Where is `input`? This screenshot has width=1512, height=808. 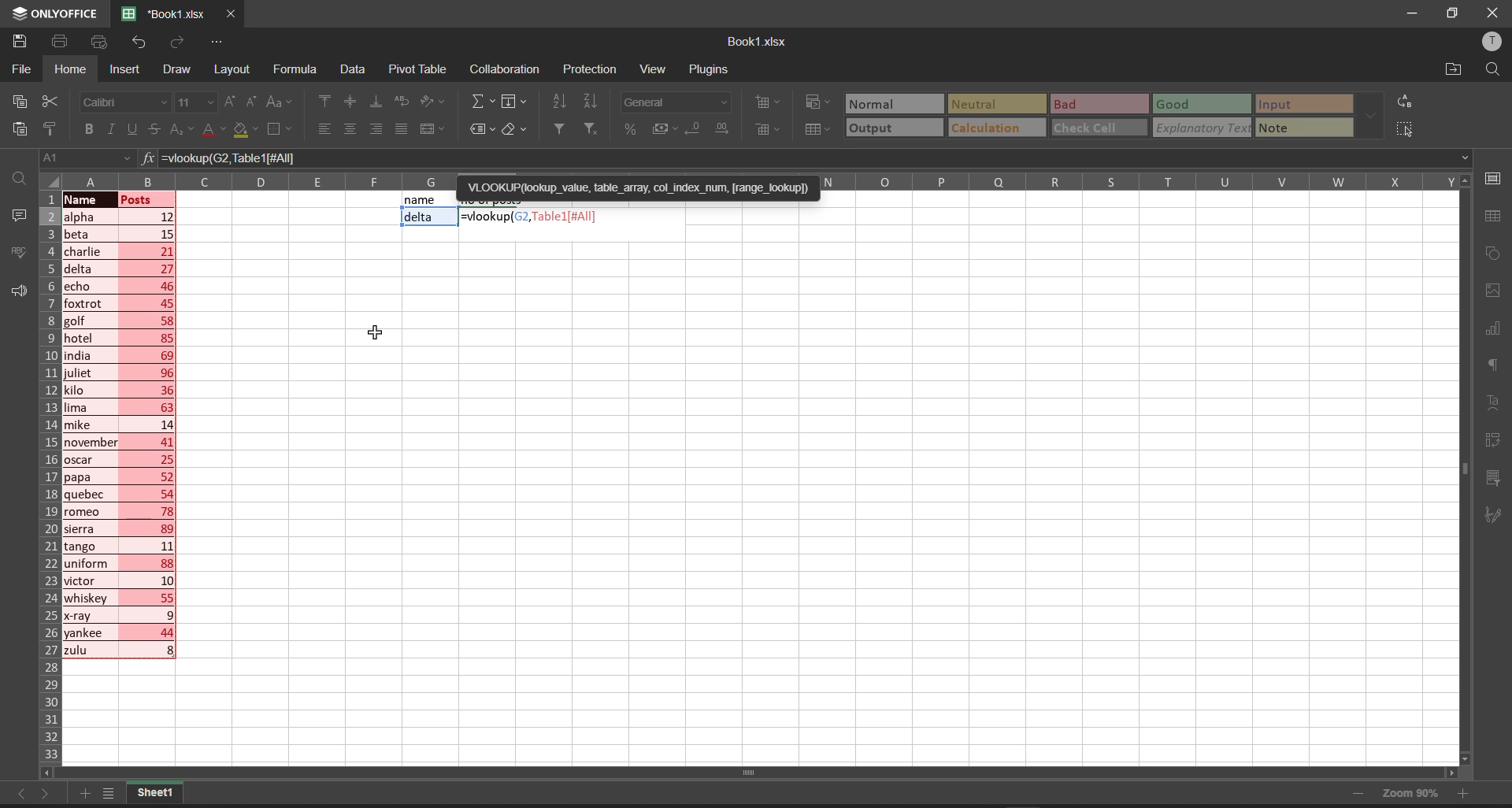 input is located at coordinates (1283, 102).